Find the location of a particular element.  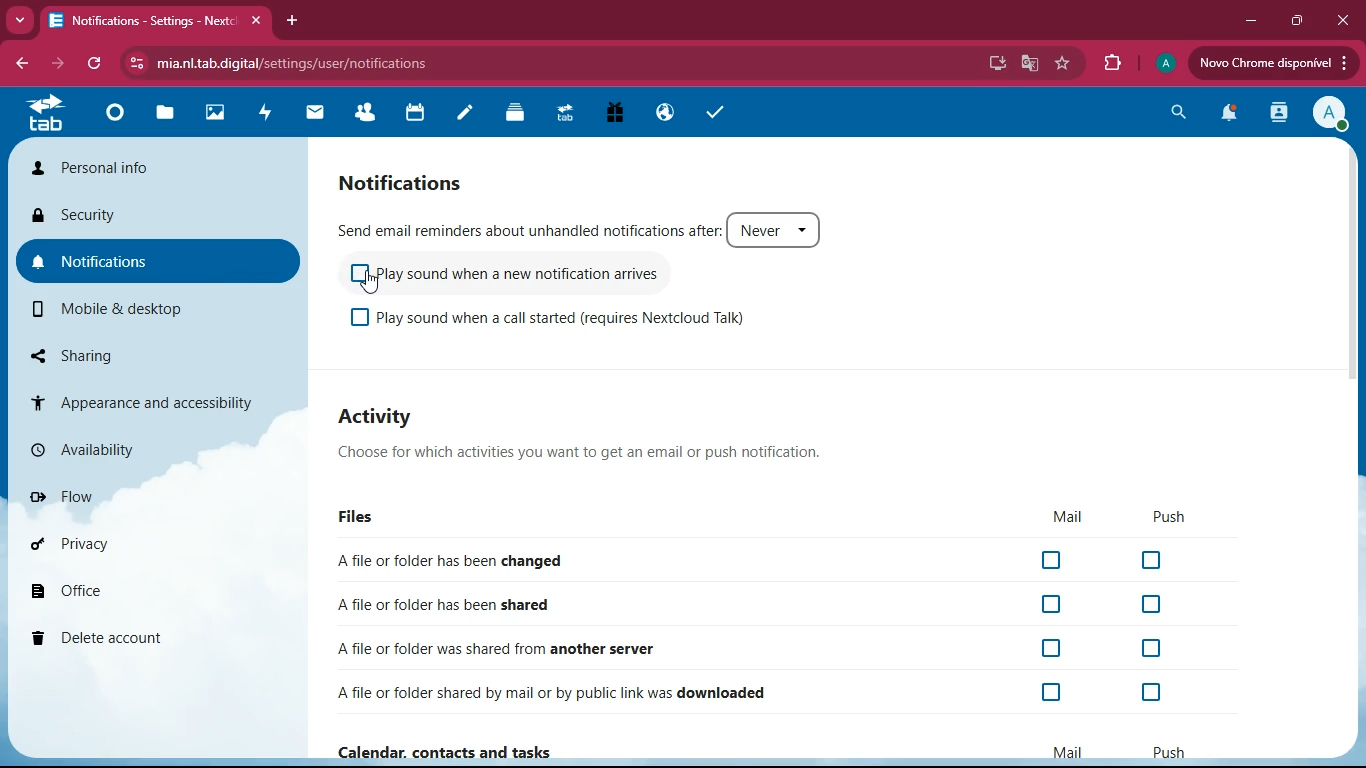

description is located at coordinates (591, 454).